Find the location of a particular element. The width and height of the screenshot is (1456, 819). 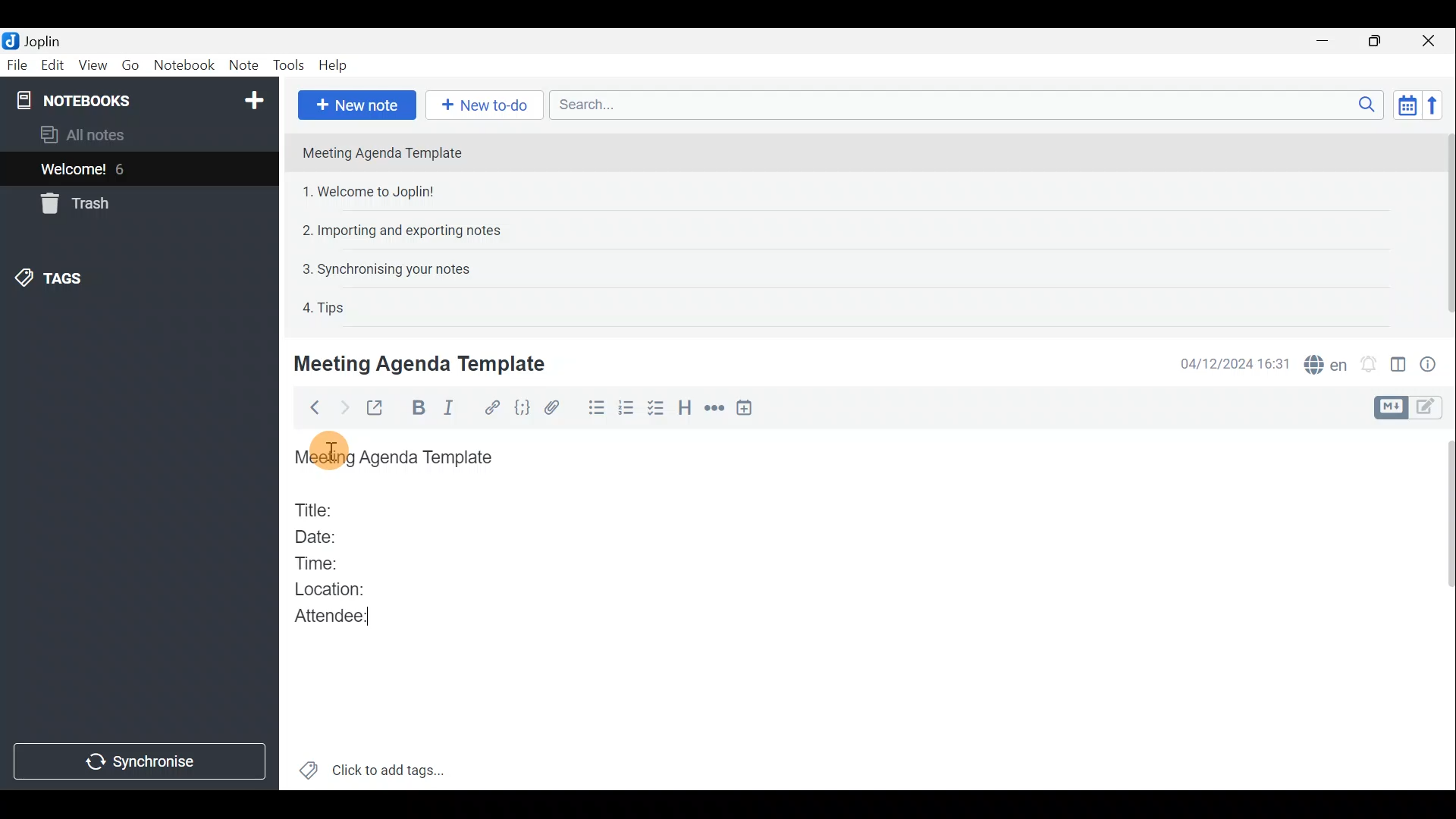

Meeting Agenda Template is located at coordinates (422, 363).